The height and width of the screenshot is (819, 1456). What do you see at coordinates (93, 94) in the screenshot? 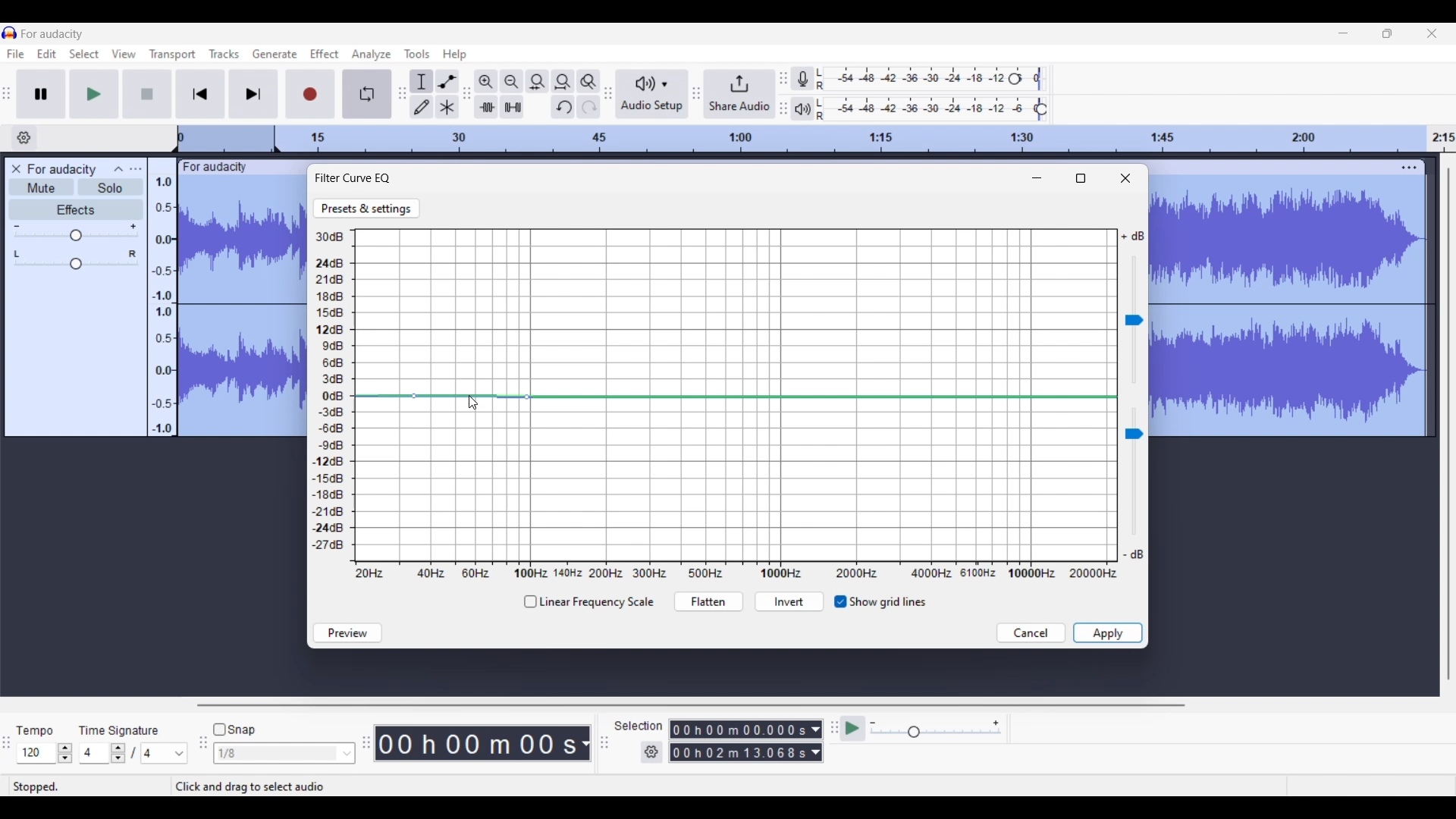
I see `Play/Play once` at bounding box center [93, 94].